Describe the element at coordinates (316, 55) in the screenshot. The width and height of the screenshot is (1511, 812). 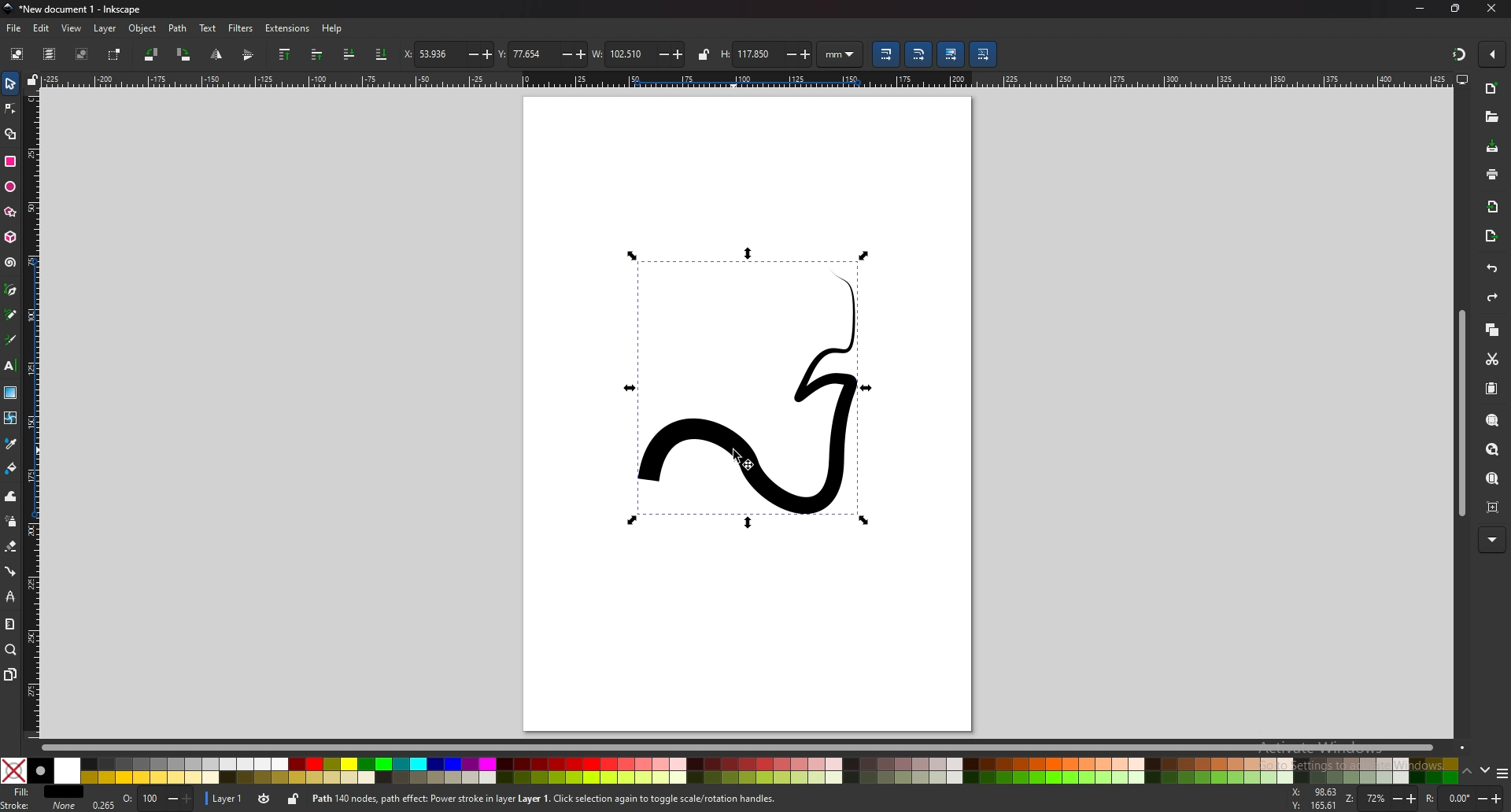
I see `raise selection one step` at that location.